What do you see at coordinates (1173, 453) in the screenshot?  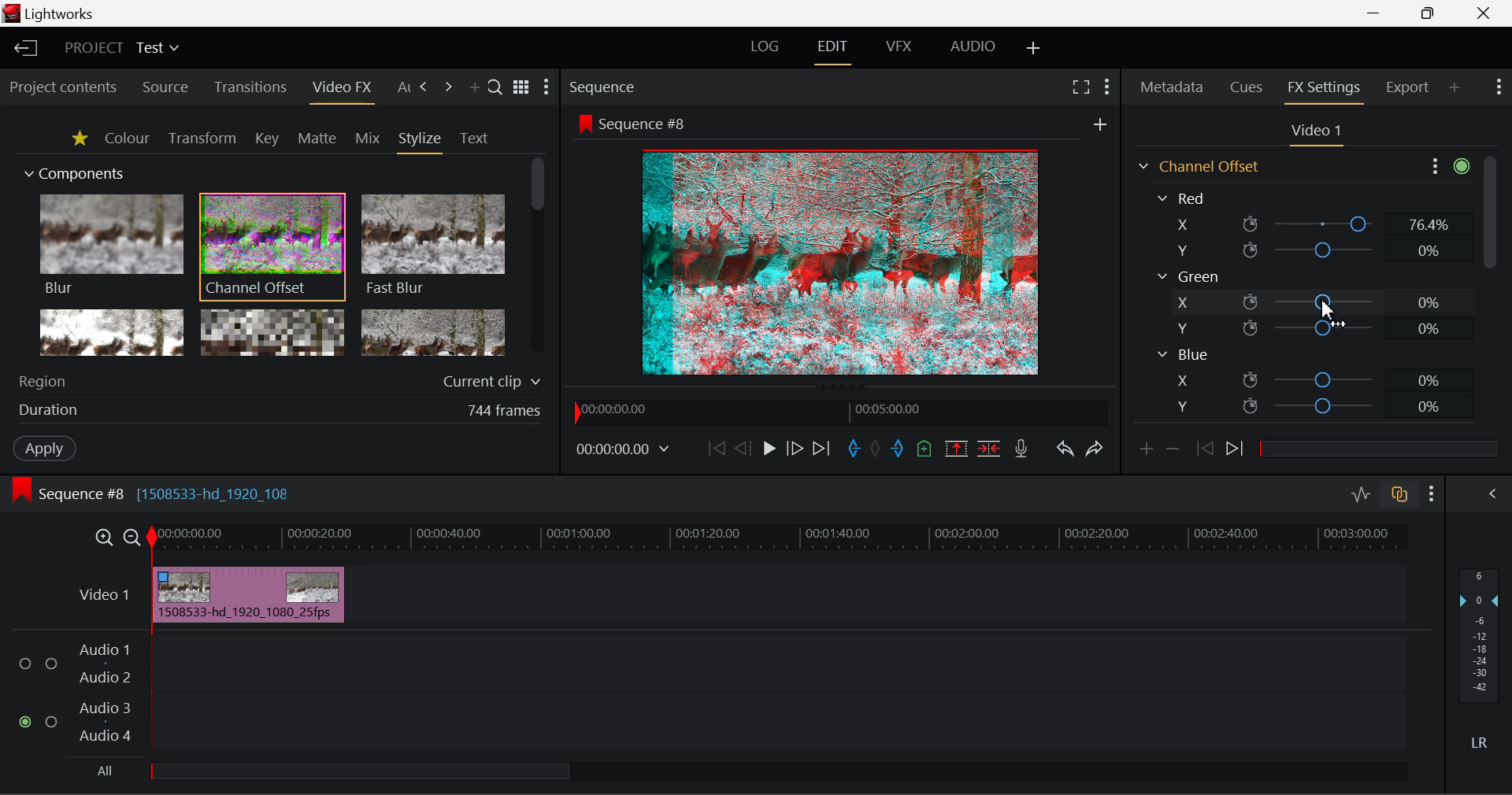 I see `Remove keyframe` at bounding box center [1173, 453].